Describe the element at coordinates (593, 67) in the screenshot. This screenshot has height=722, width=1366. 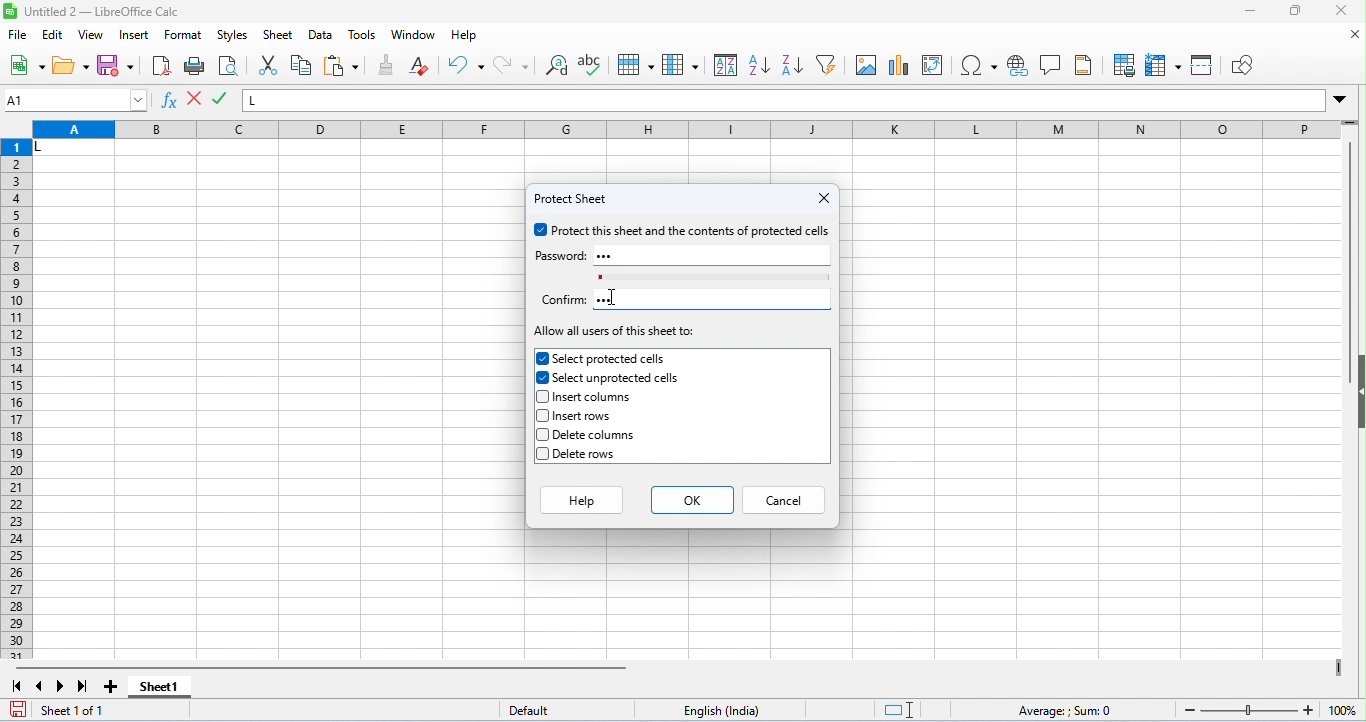
I see `spelling` at that location.